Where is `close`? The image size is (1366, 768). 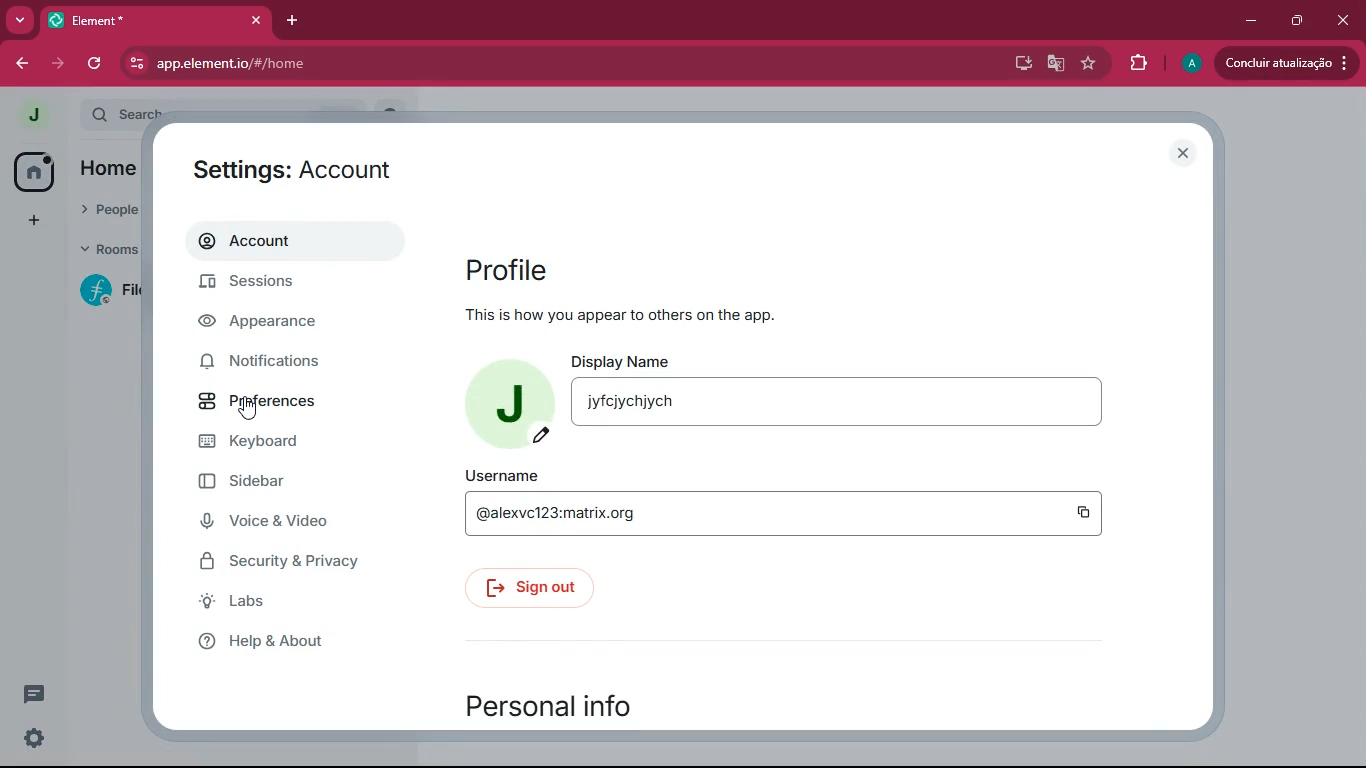 close is located at coordinates (1342, 20).